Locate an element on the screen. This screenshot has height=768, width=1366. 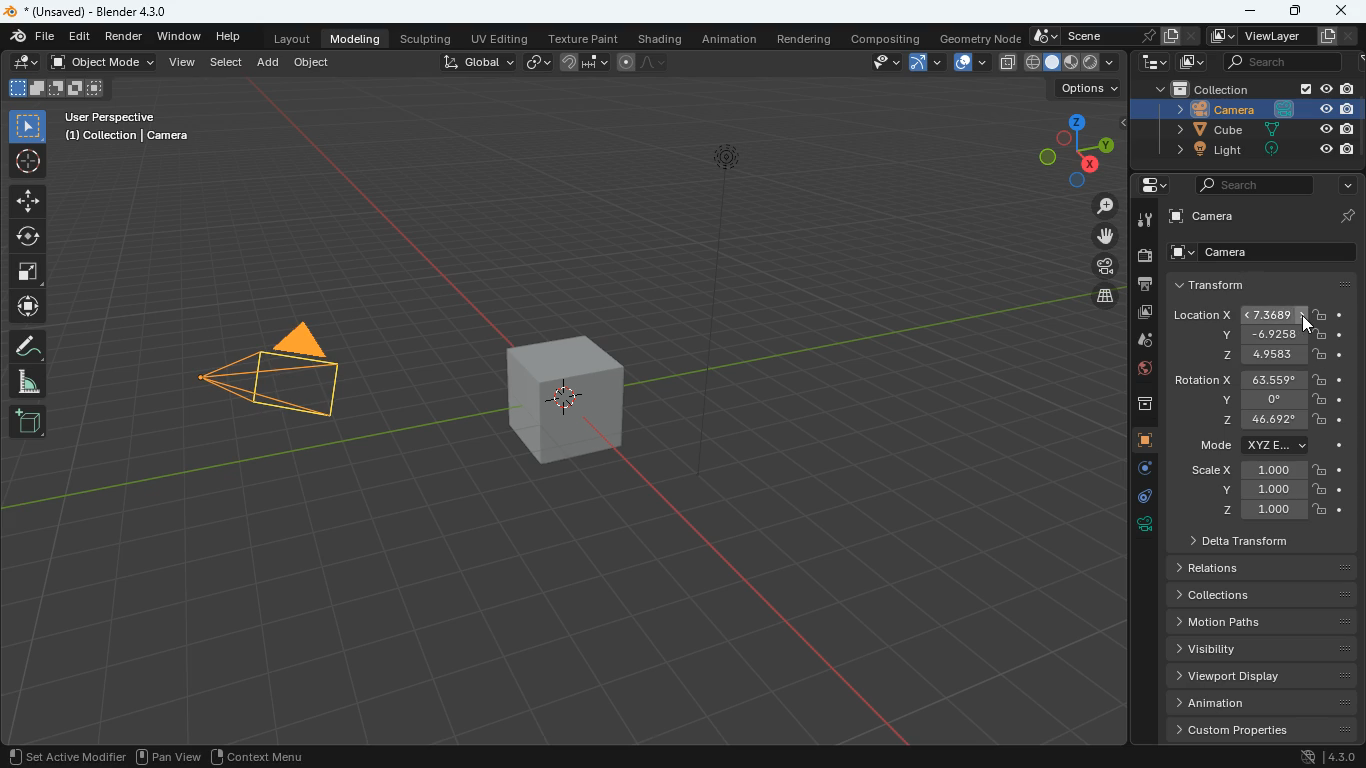
full screen is located at coordinates (30, 273).